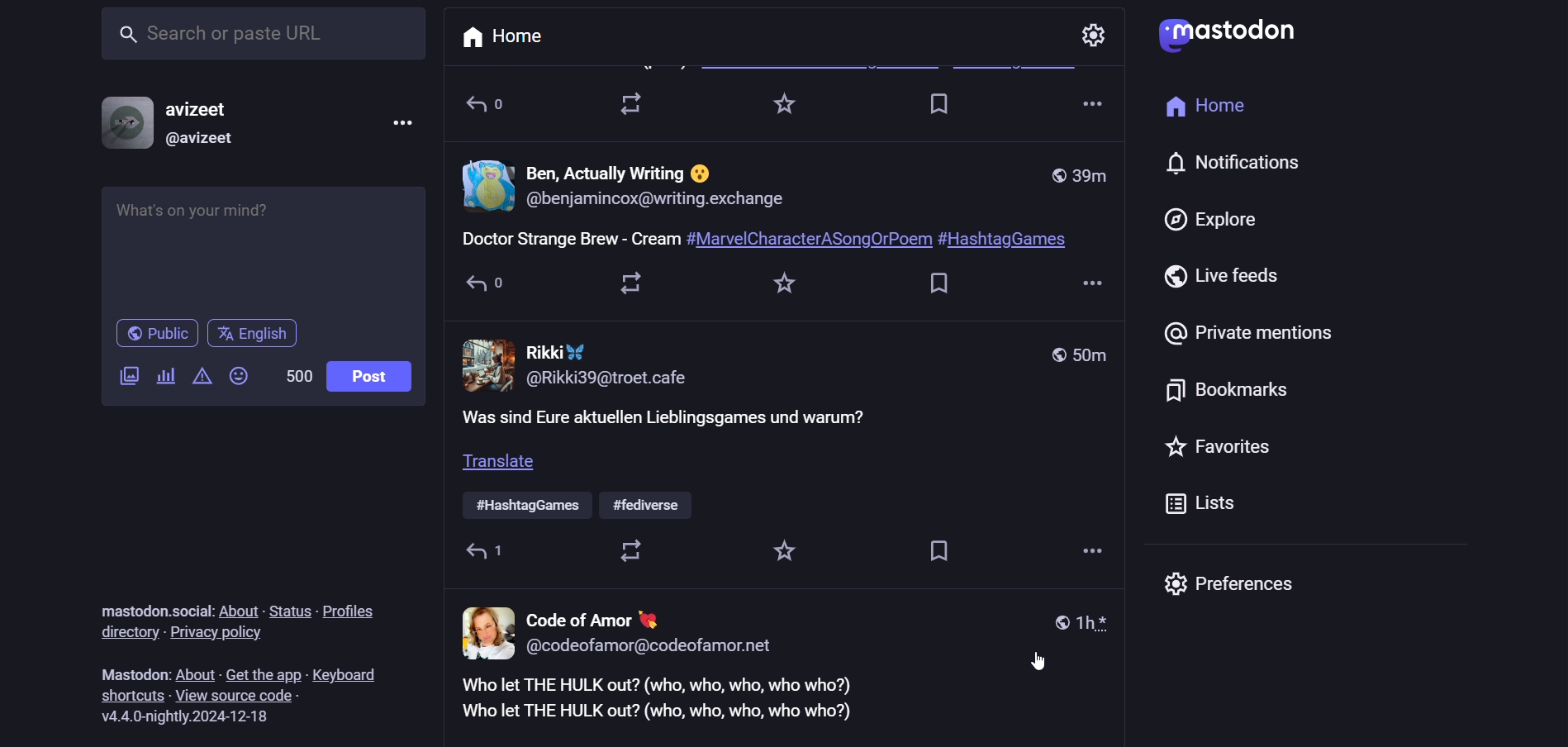  Describe the element at coordinates (791, 108) in the screenshot. I see `favourite` at that location.